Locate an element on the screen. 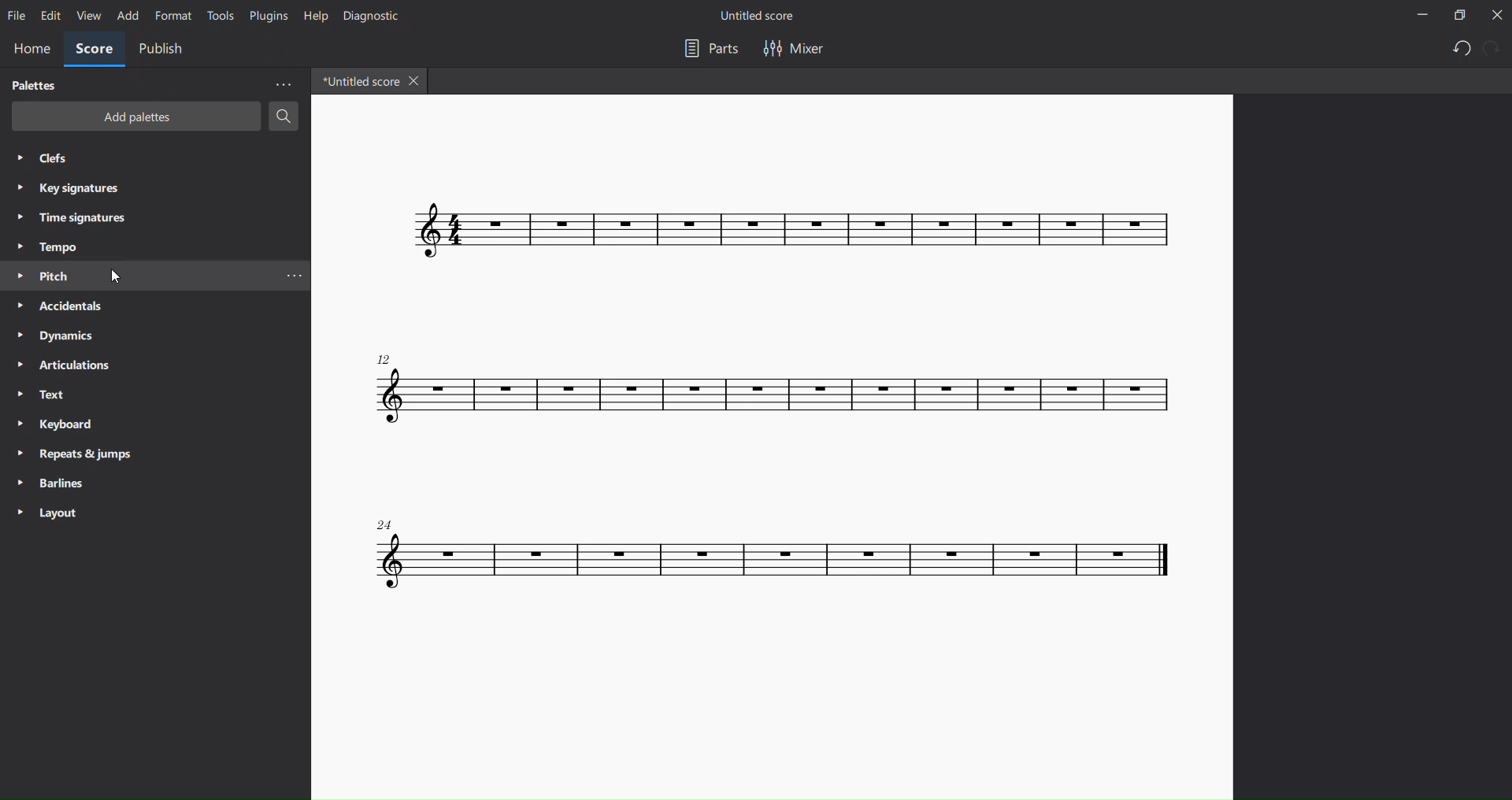  reports and jump is located at coordinates (81, 454).